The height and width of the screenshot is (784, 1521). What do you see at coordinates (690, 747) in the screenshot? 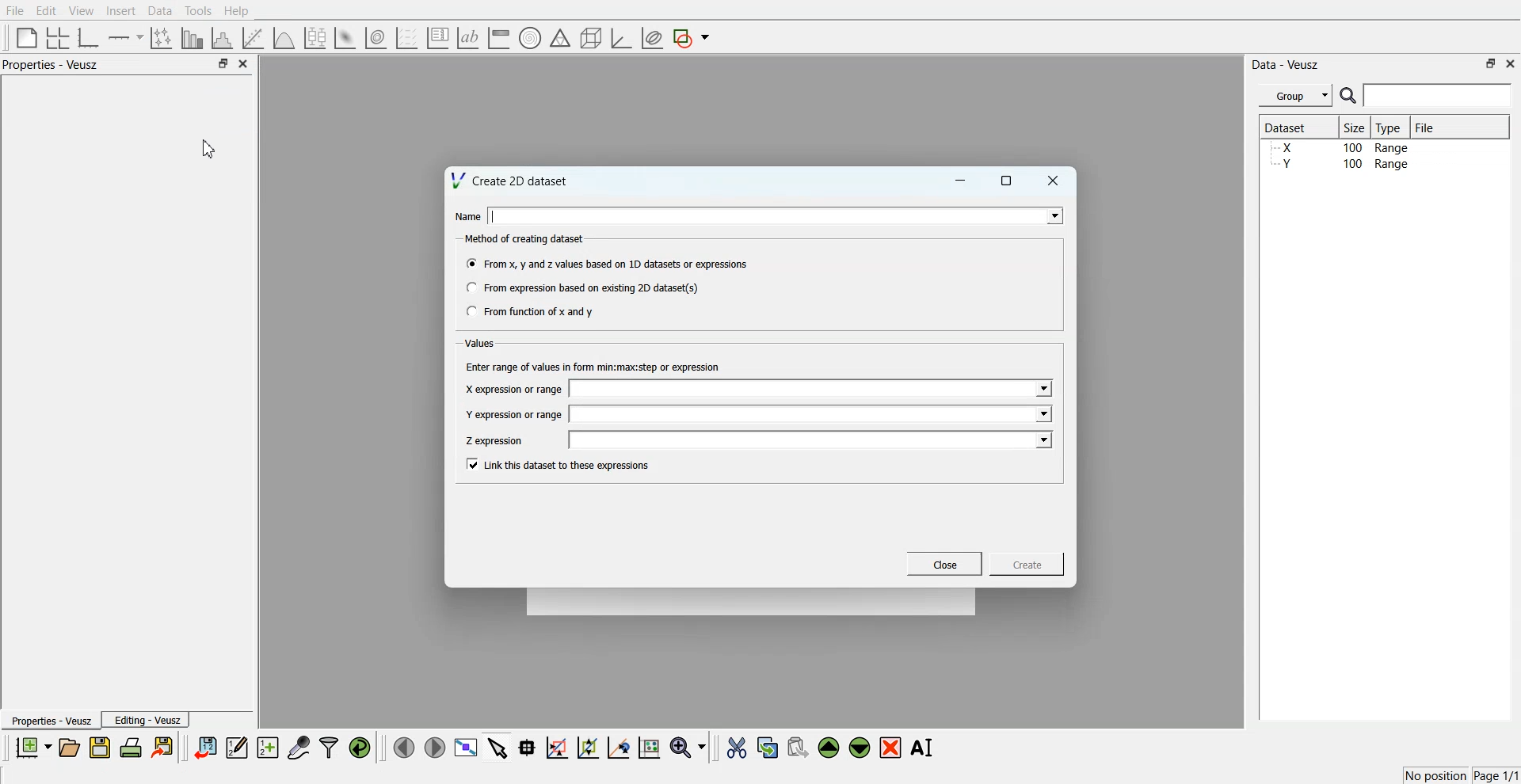
I see `Zoom function menu` at bounding box center [690, 747].